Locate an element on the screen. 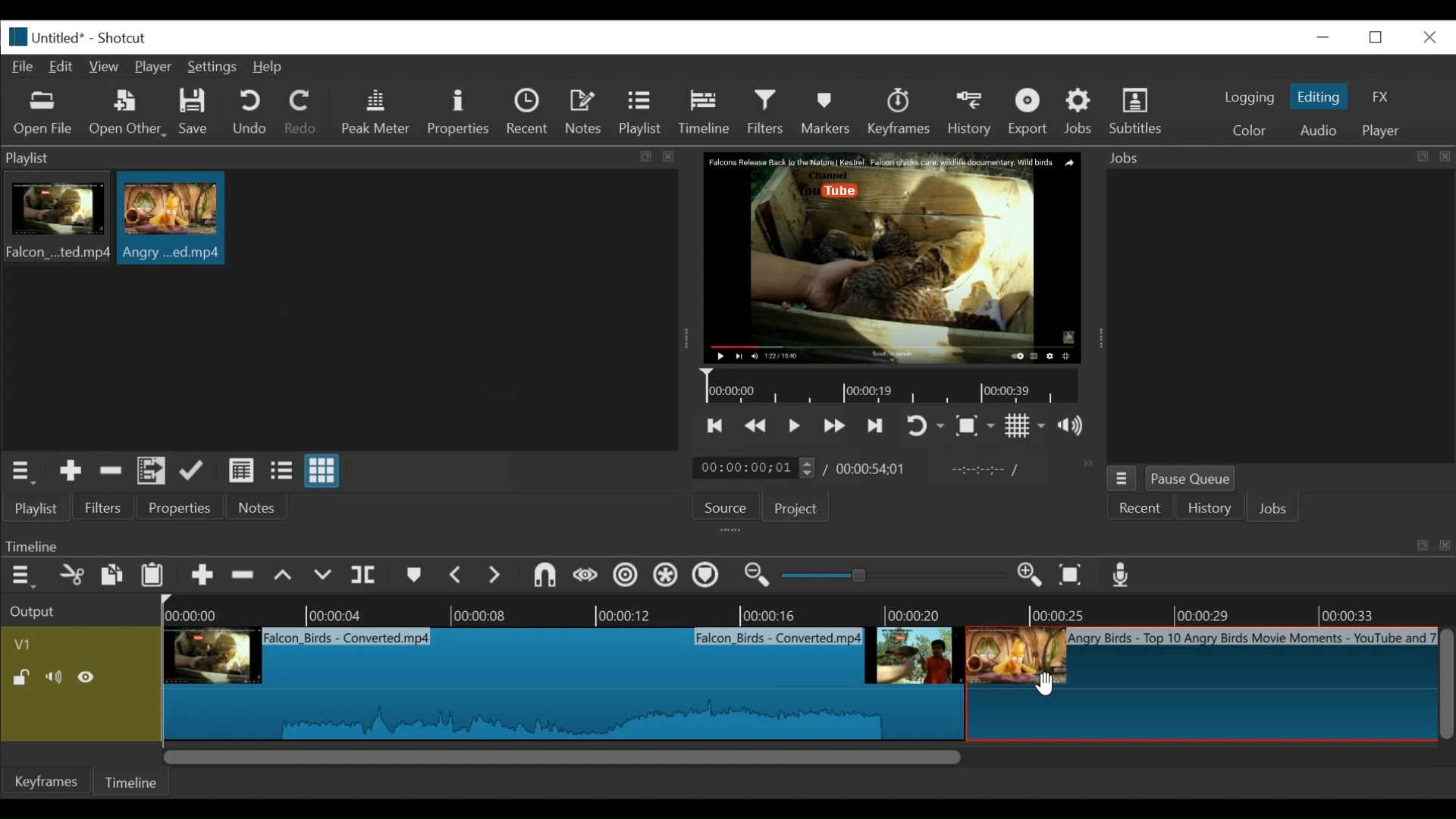 The height and width of the screenshot is (819, 1456). Timeline Panel is located at coordinates (726, 545).